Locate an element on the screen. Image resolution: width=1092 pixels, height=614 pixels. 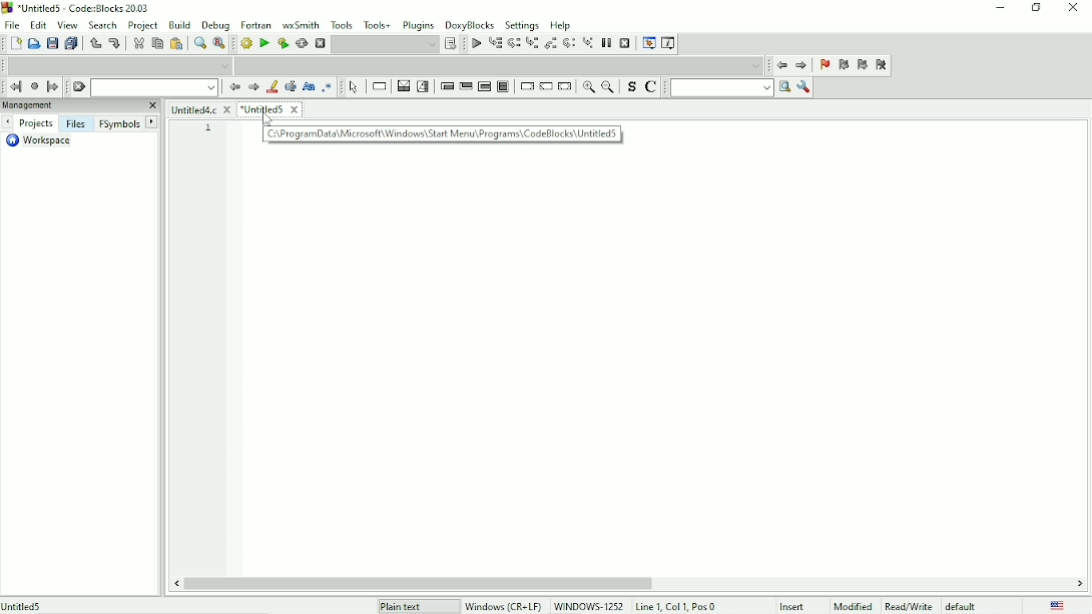
Debug/Continue is located at coordinates (475, 44).